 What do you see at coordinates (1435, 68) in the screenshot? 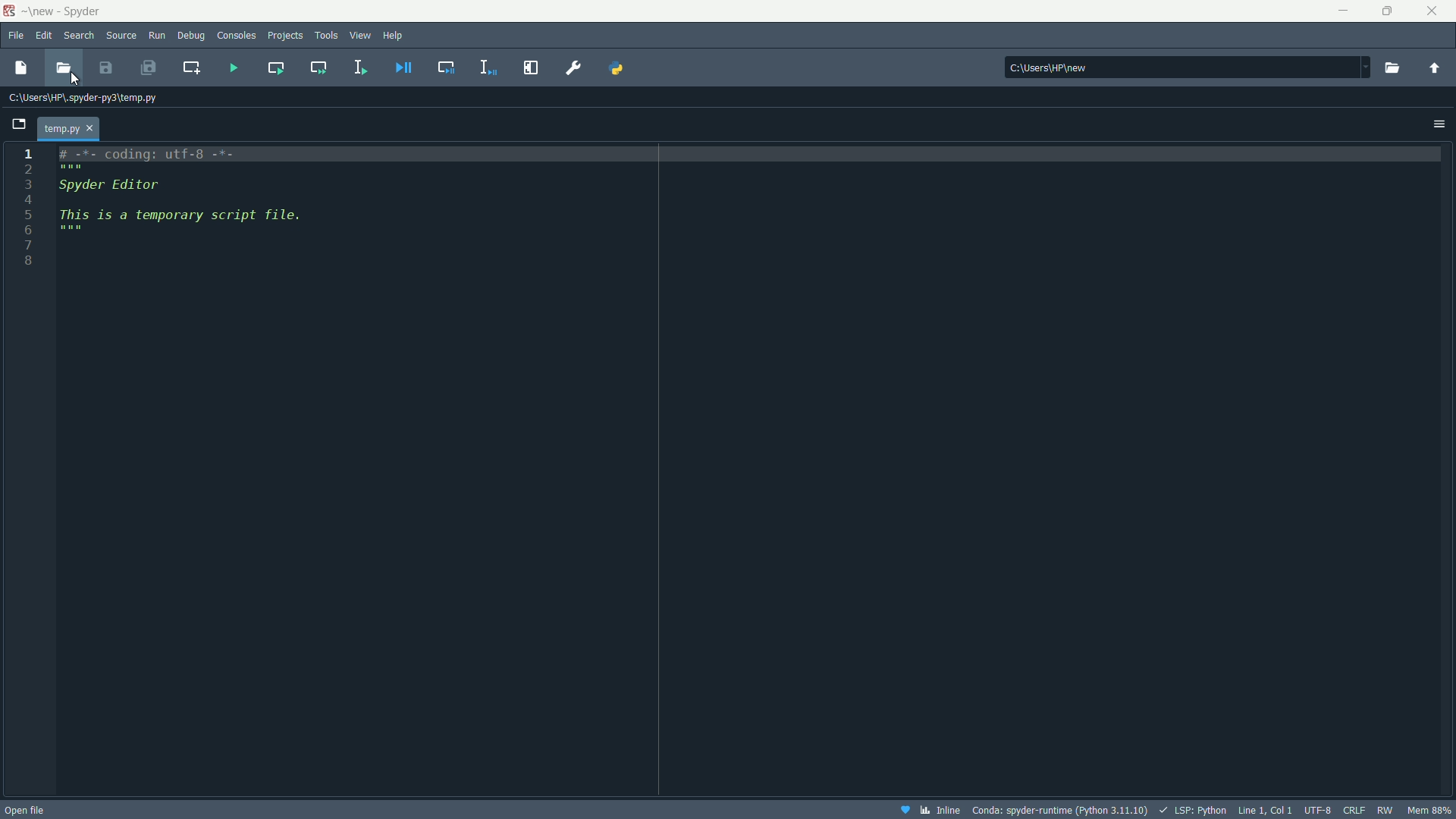
I see `change to parent directory` at bounding box center [1435, 68].